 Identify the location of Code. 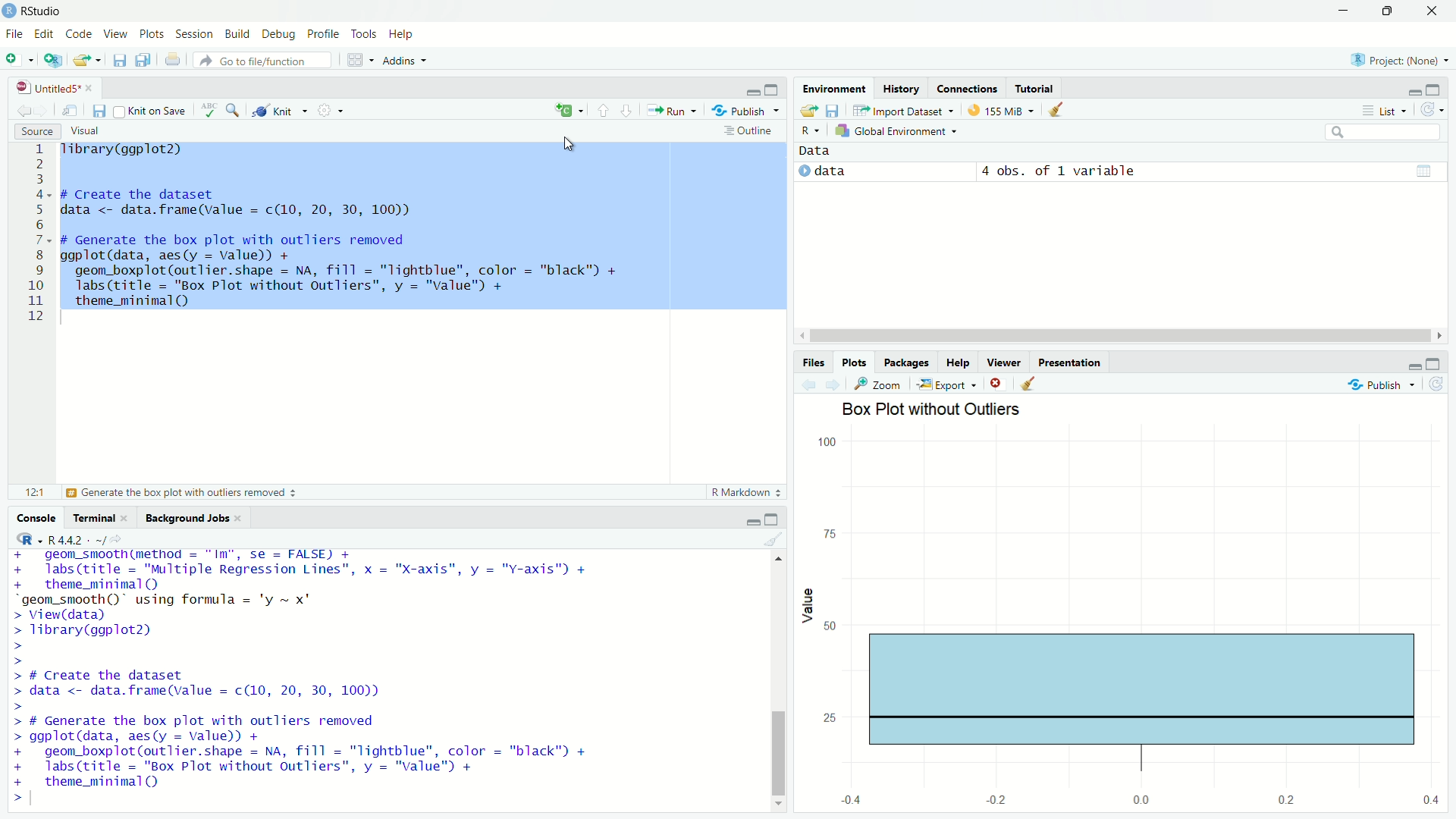
(79, 34).